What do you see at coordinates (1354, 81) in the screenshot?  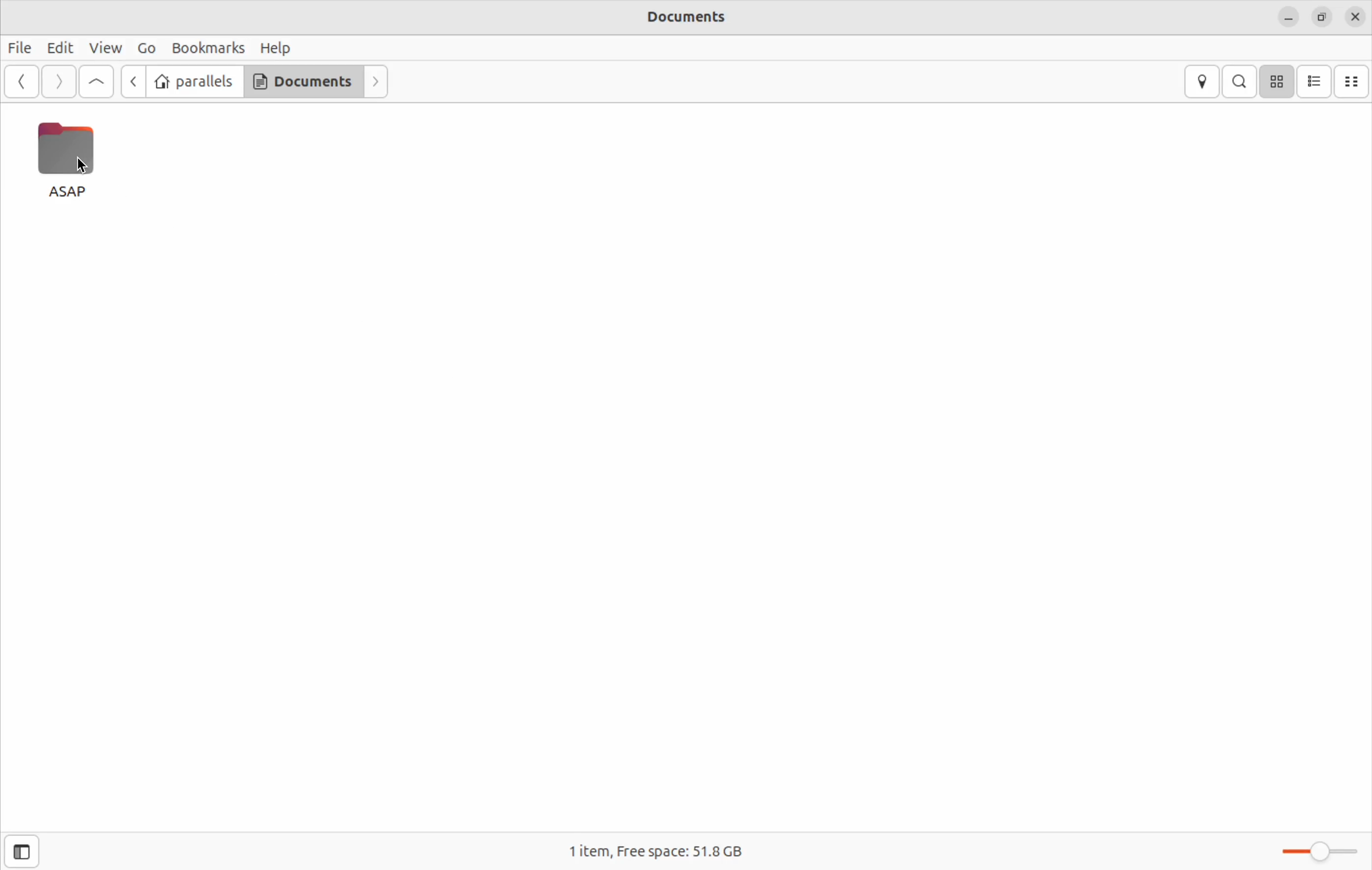 I see `compact view` at bounding box center [1354, 81].